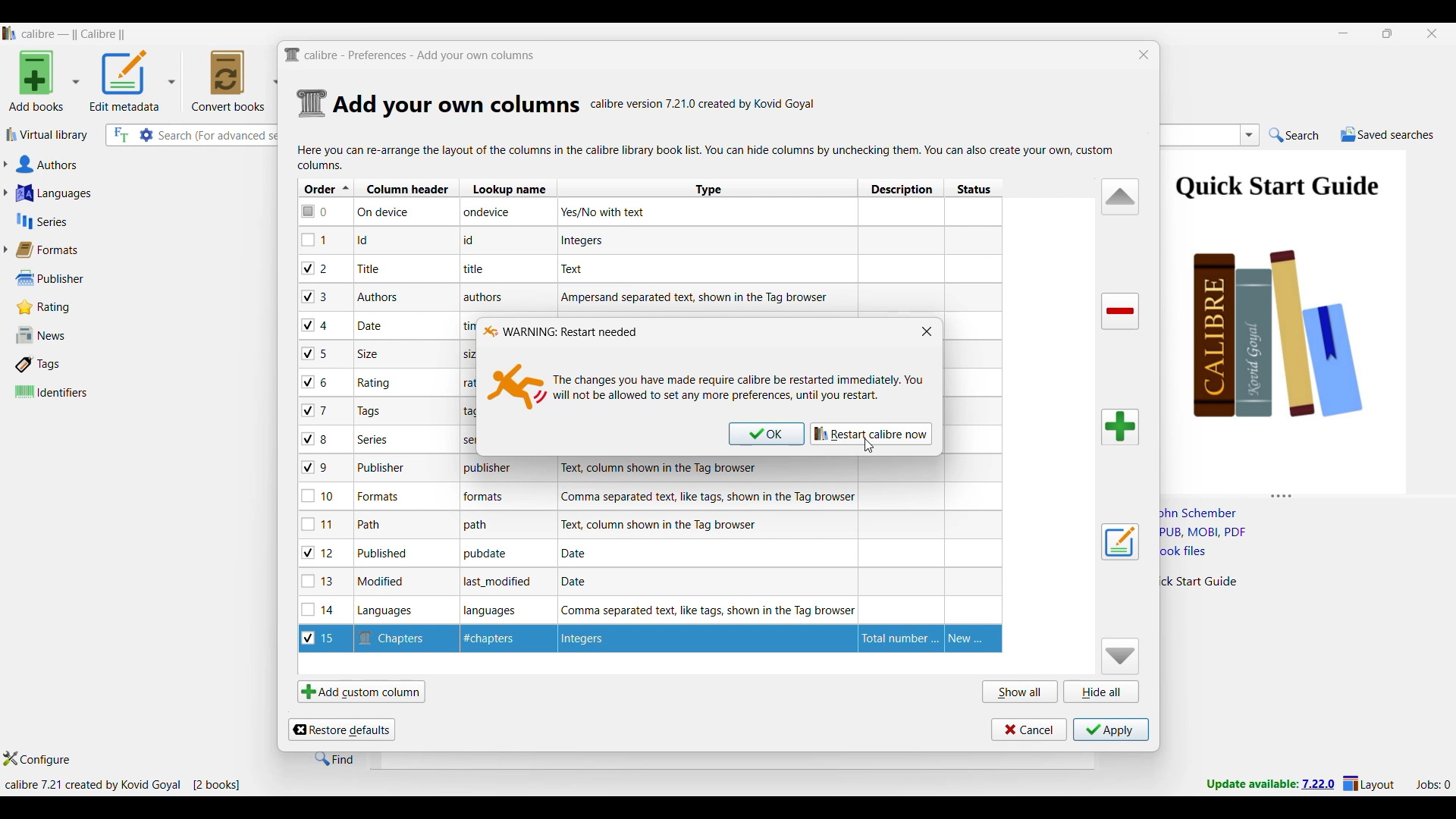  Describe the element at coordinates (373, 439) in the screenshot. I see `Note` at that location.